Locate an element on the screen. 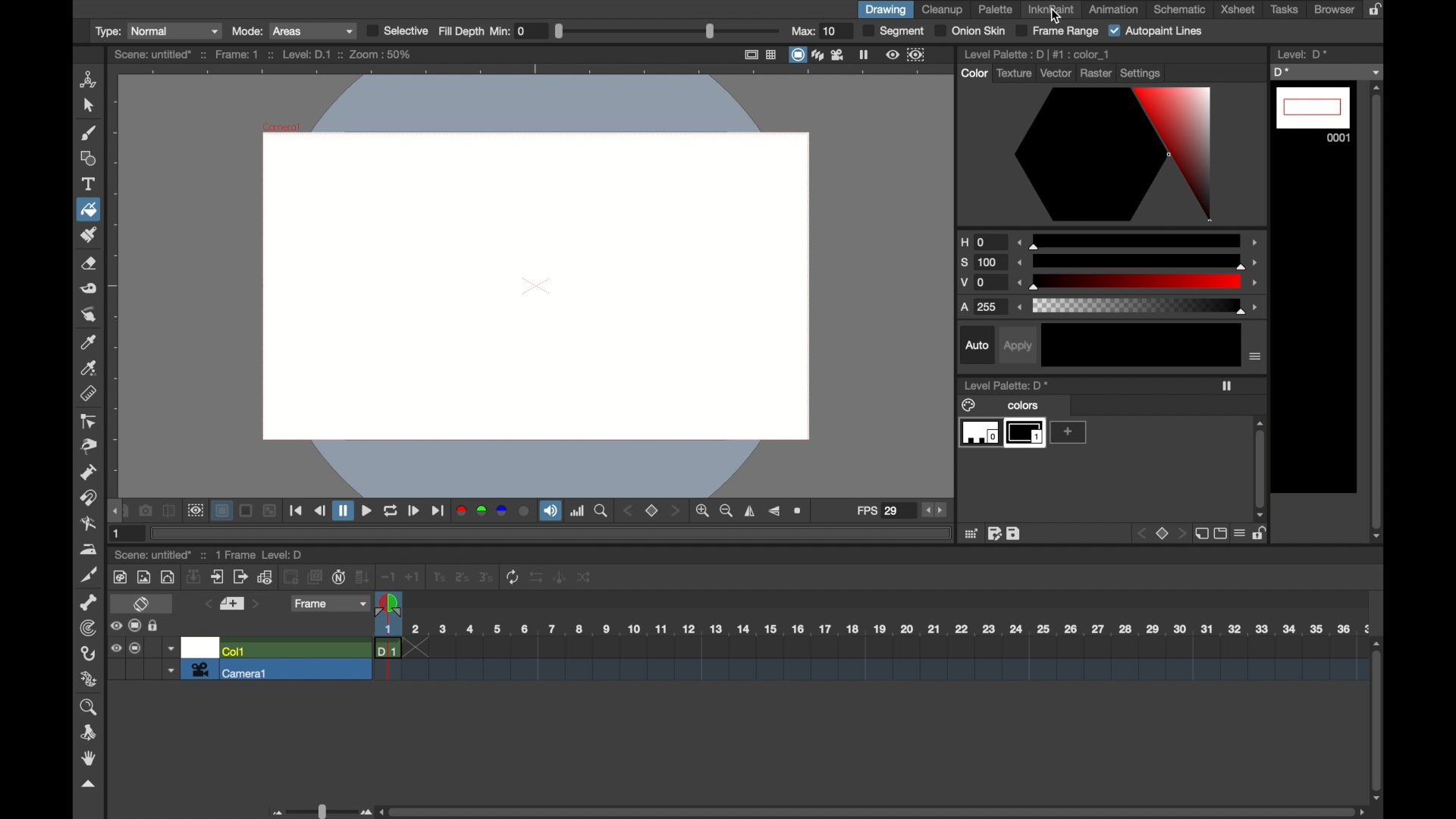 This screenshot has width=1456, height=819. scene is located at coordinates (870, 662).